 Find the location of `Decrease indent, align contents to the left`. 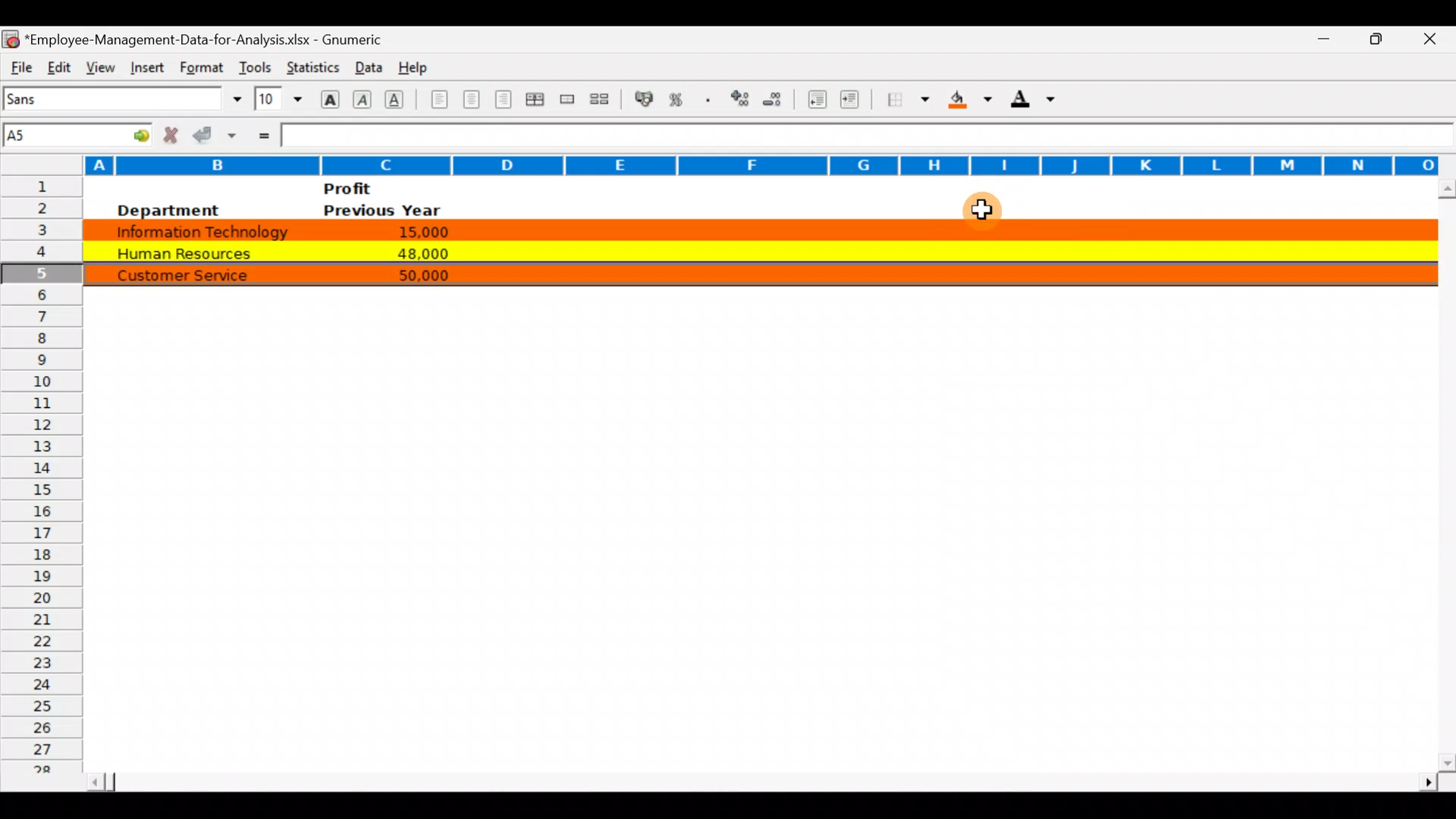

Decrease indent, align contents to the left is located at coordinates (819, 101).